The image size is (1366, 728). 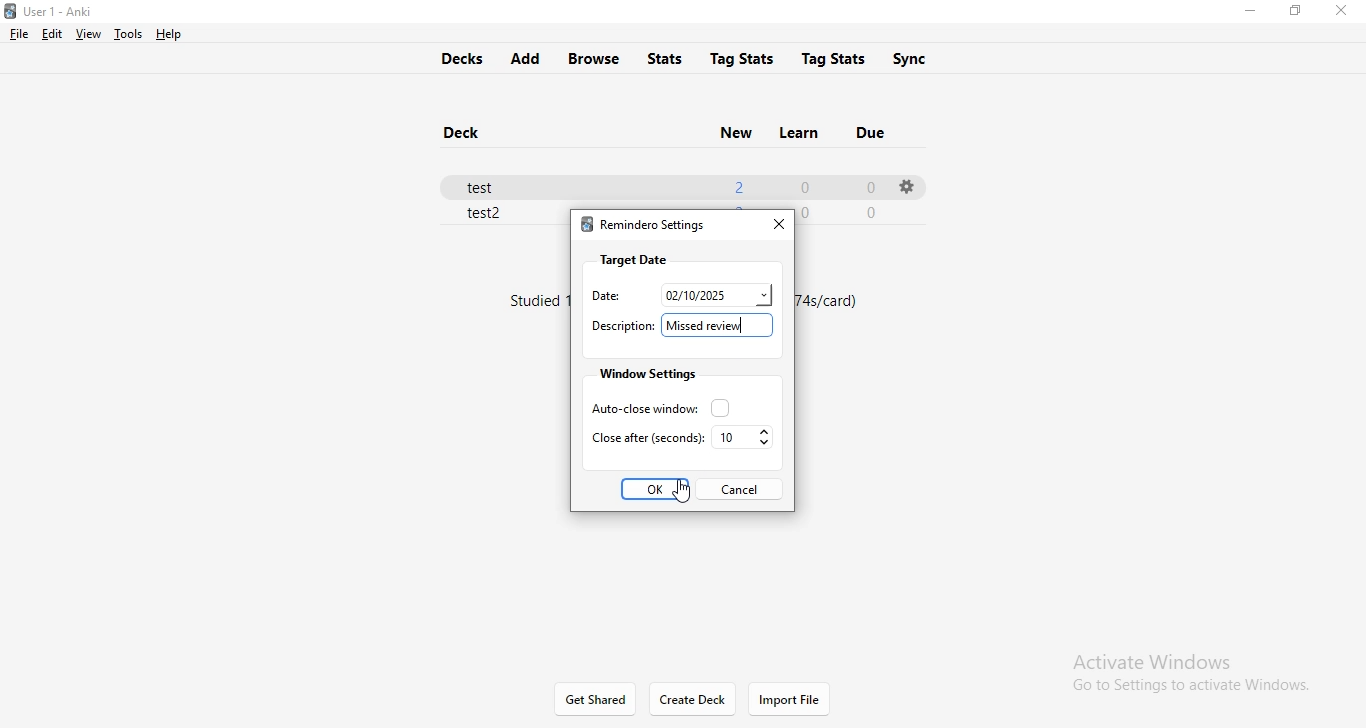 I want to click on get shared, so click(x=597, y=700).